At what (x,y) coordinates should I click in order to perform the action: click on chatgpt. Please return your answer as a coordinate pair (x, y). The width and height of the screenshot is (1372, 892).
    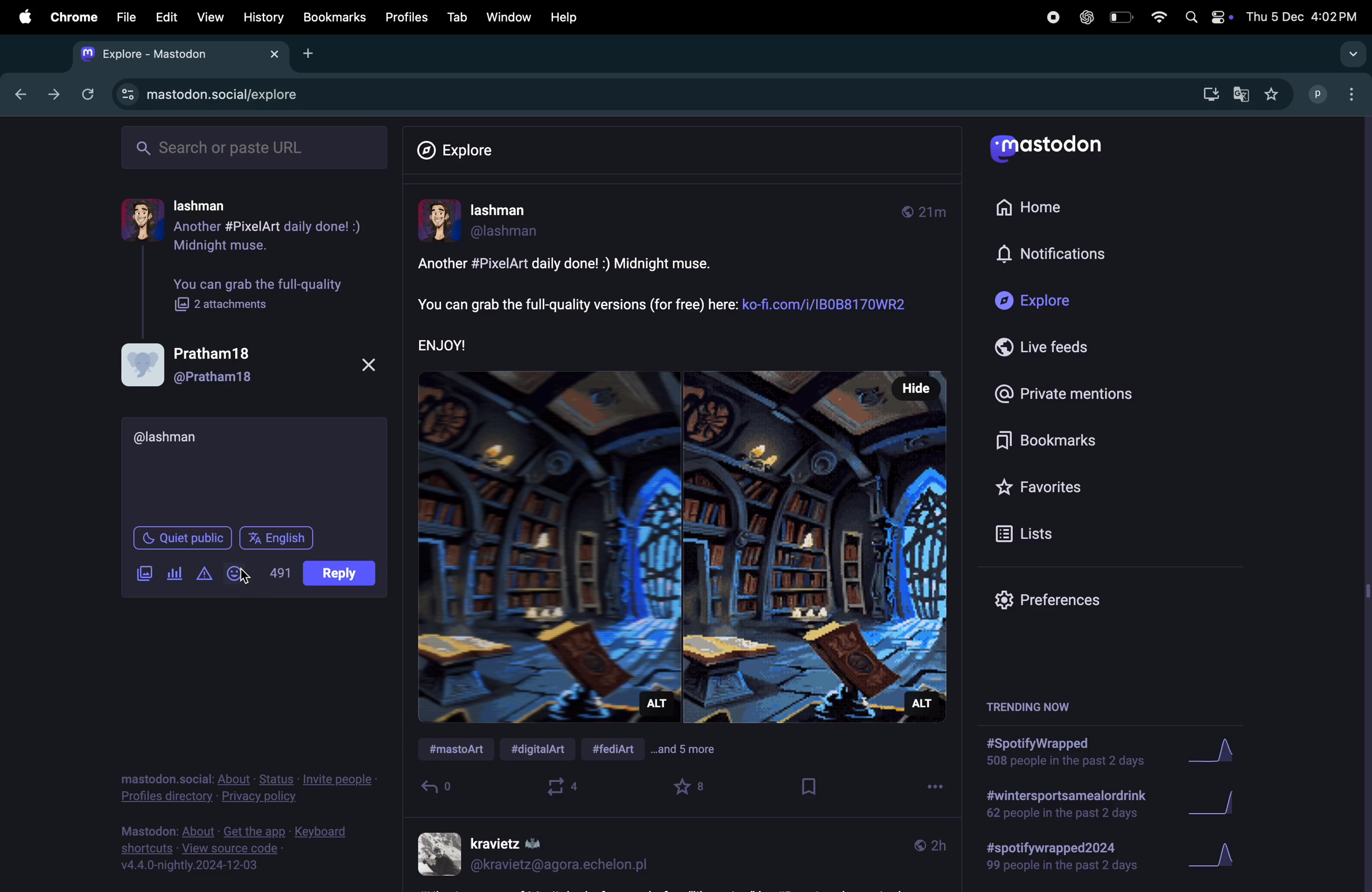
    Looking at the image, I should click on (1085, 18).